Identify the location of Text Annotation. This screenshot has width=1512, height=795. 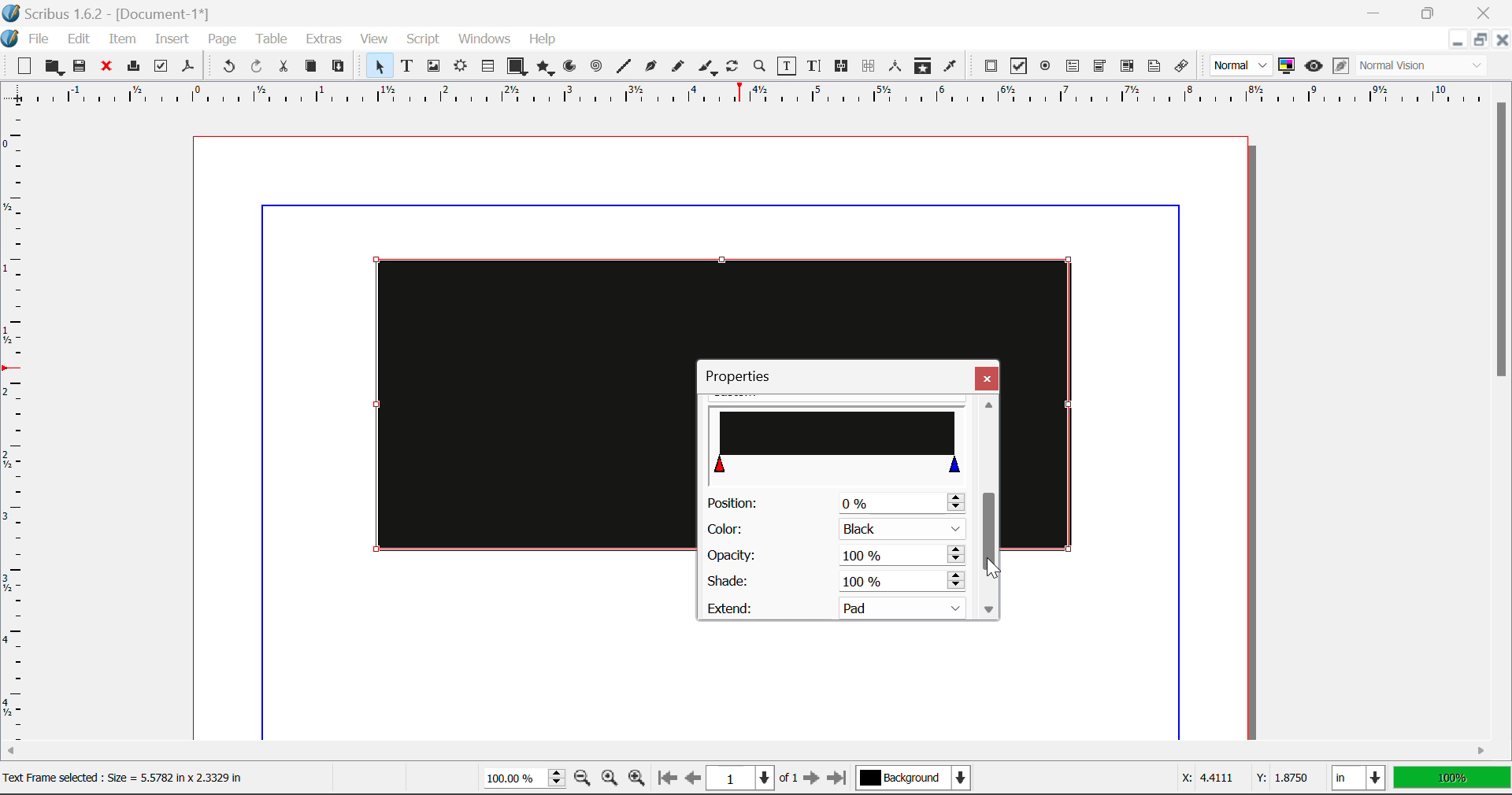
(1157, 67).